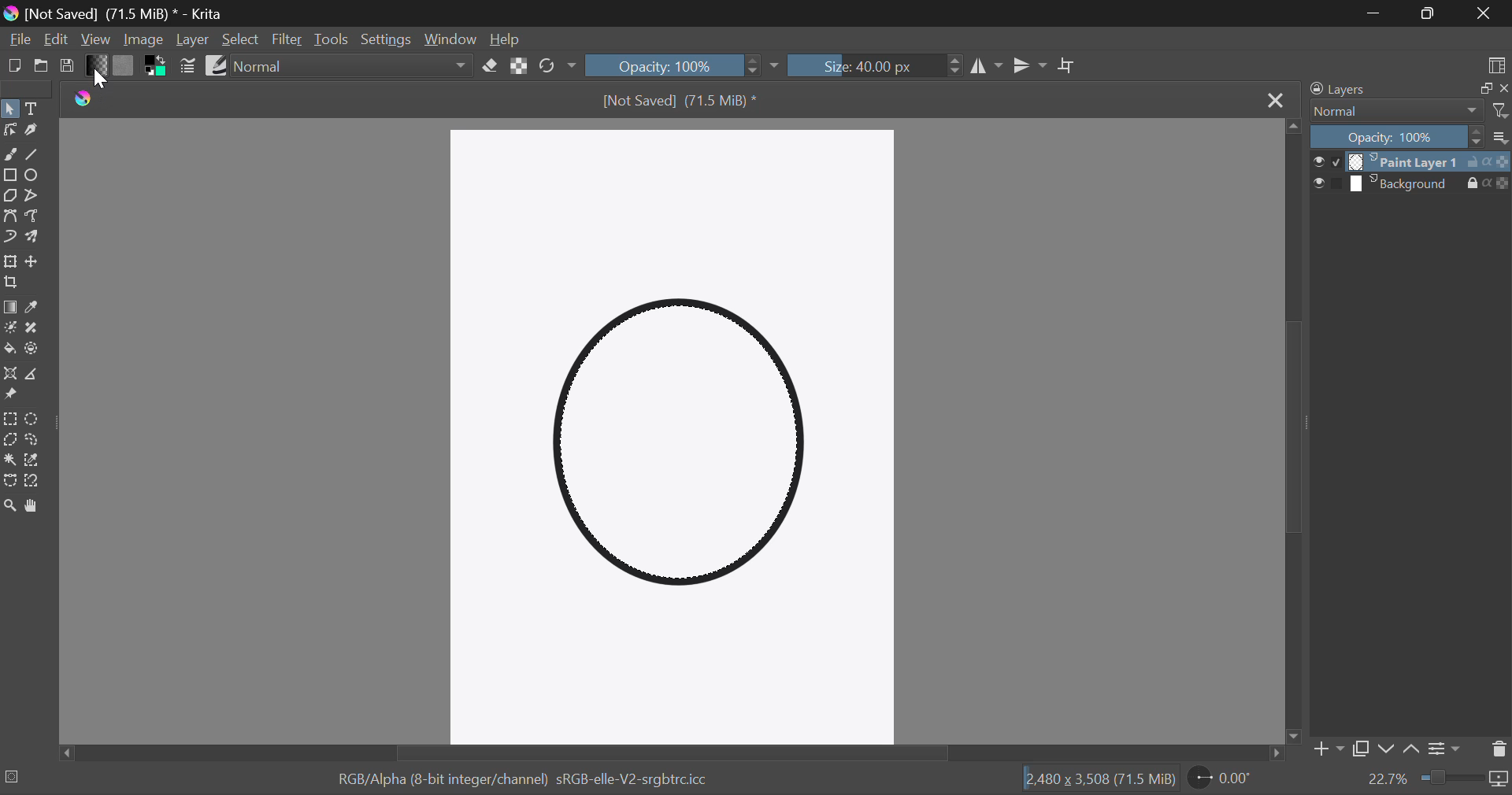  What do you see at coordinates (34, 133) in the screenshot?
I see `Calligraphic Tool` at bounding box center [34, 133].